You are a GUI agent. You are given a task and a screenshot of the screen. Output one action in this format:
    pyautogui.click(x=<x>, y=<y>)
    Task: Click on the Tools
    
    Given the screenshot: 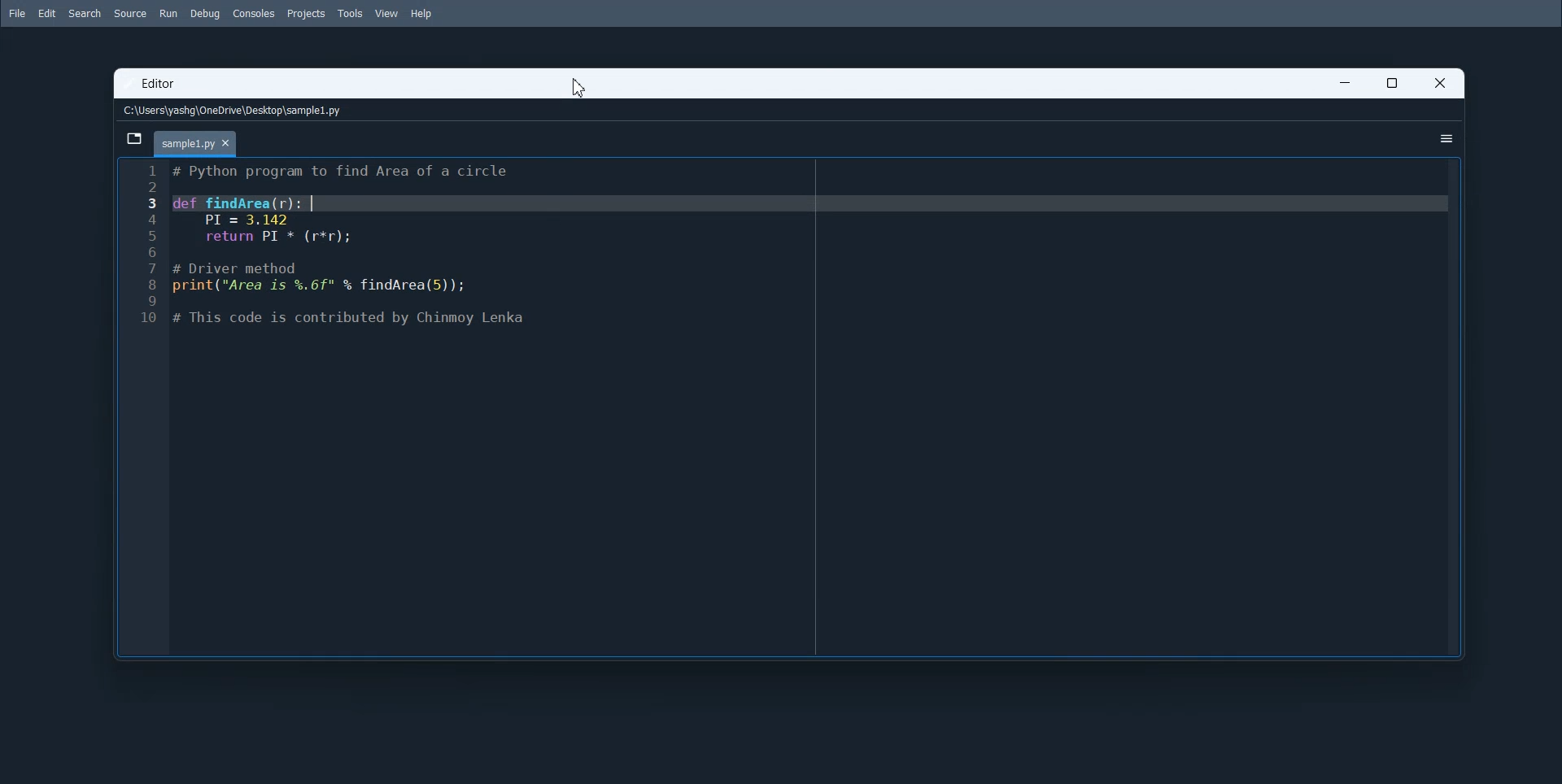 What is the action you would take?
    pyautogui.click(x=351, y=13)
    